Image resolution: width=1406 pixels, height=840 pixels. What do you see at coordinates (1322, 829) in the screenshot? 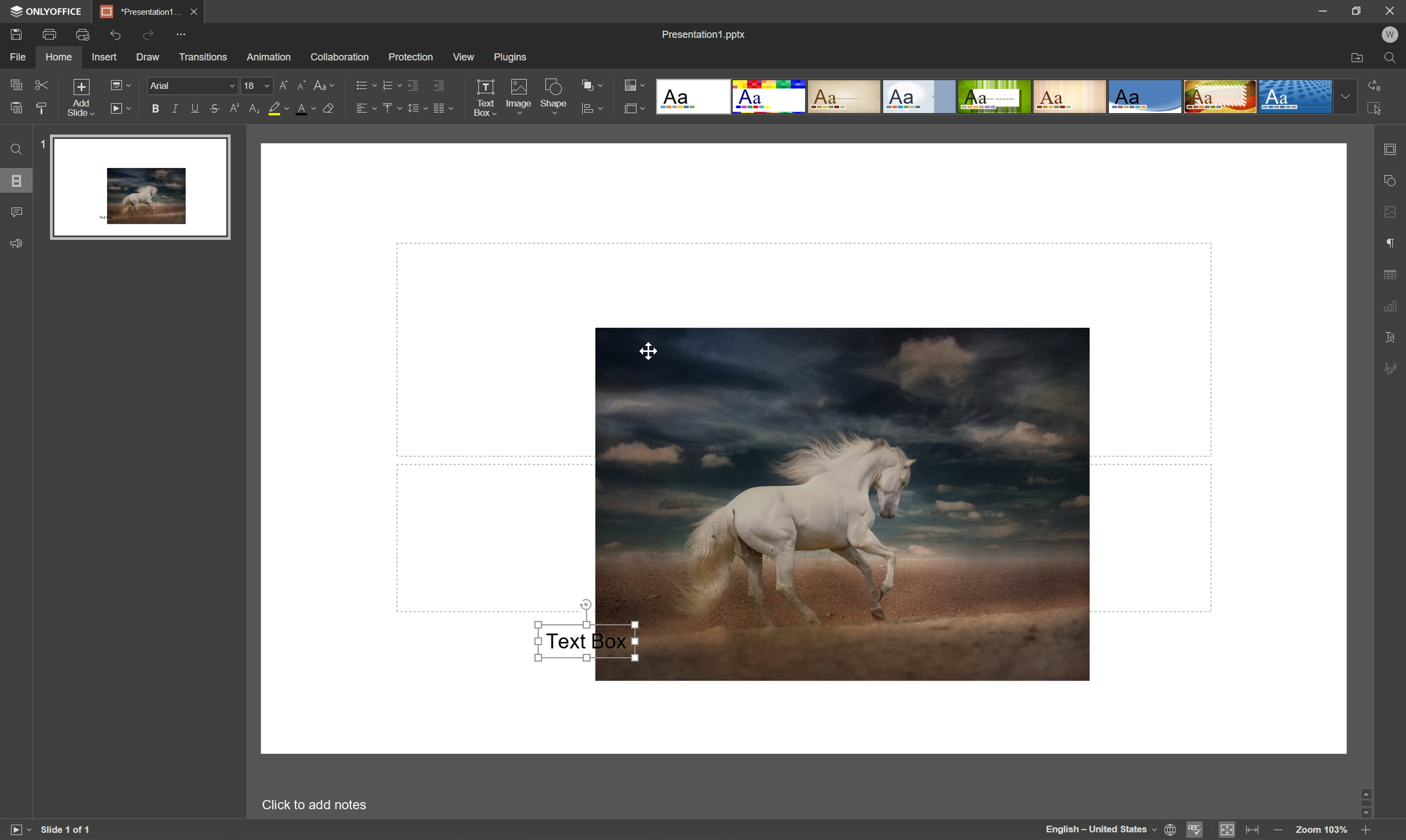
I see `Zoom 103%` at bounding box center [1322, 829].